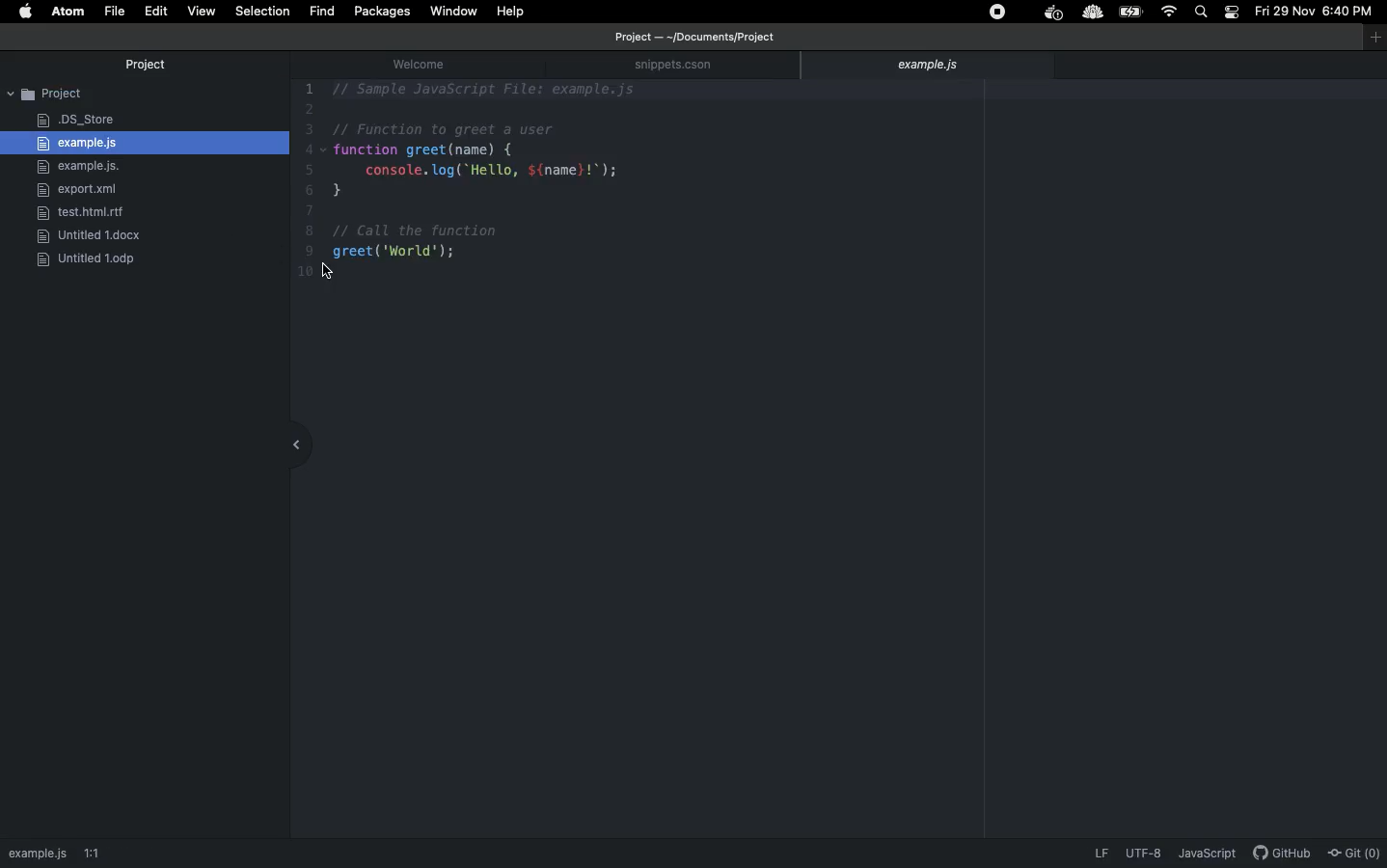 This screenshot has width=1387, height=868. What do you see at coordinates (688, 37) in the screenshot?
I see `file path` at bounding box center [688, 37].